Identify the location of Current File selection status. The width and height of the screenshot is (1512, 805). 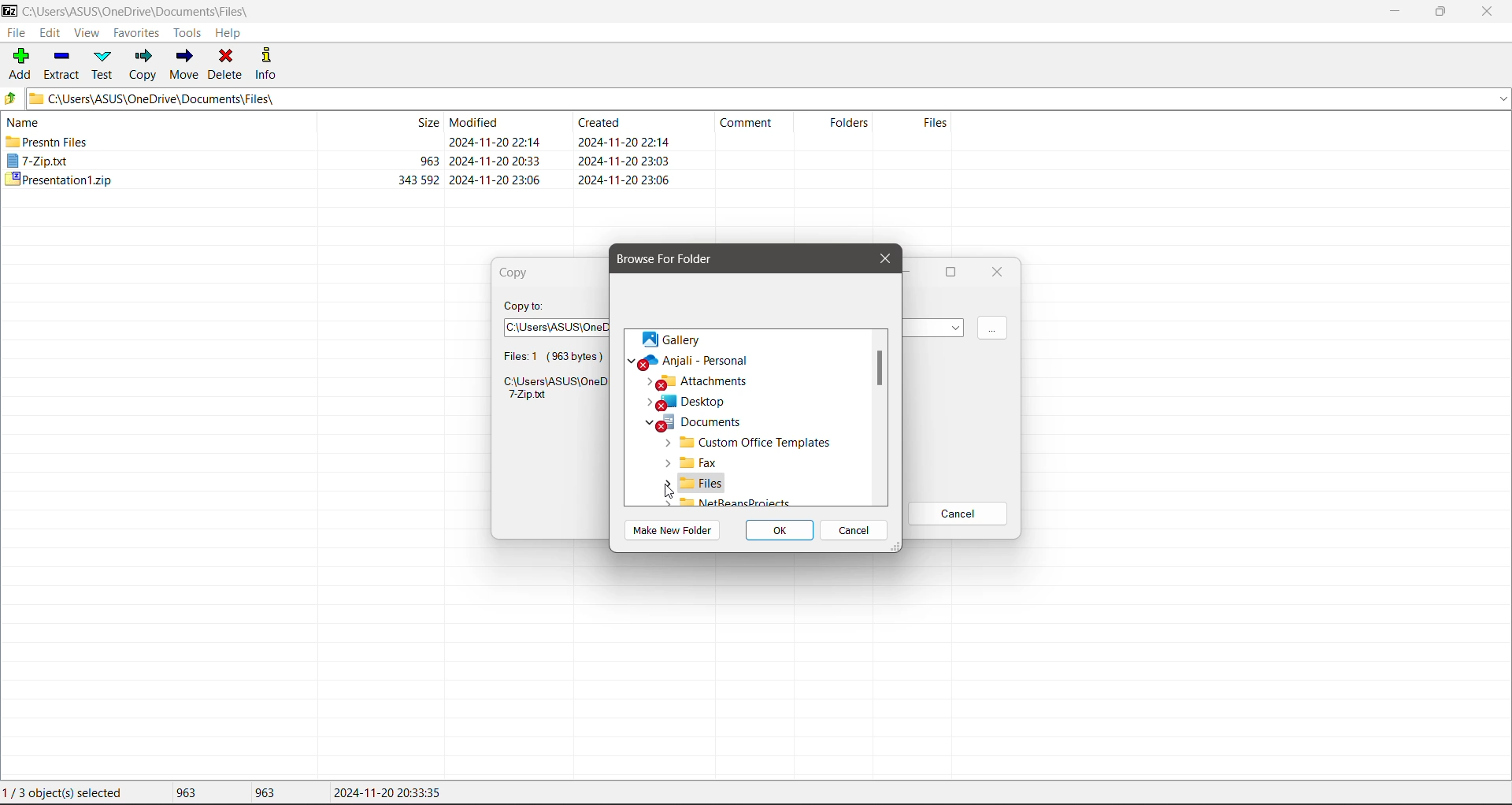
(66, 793).